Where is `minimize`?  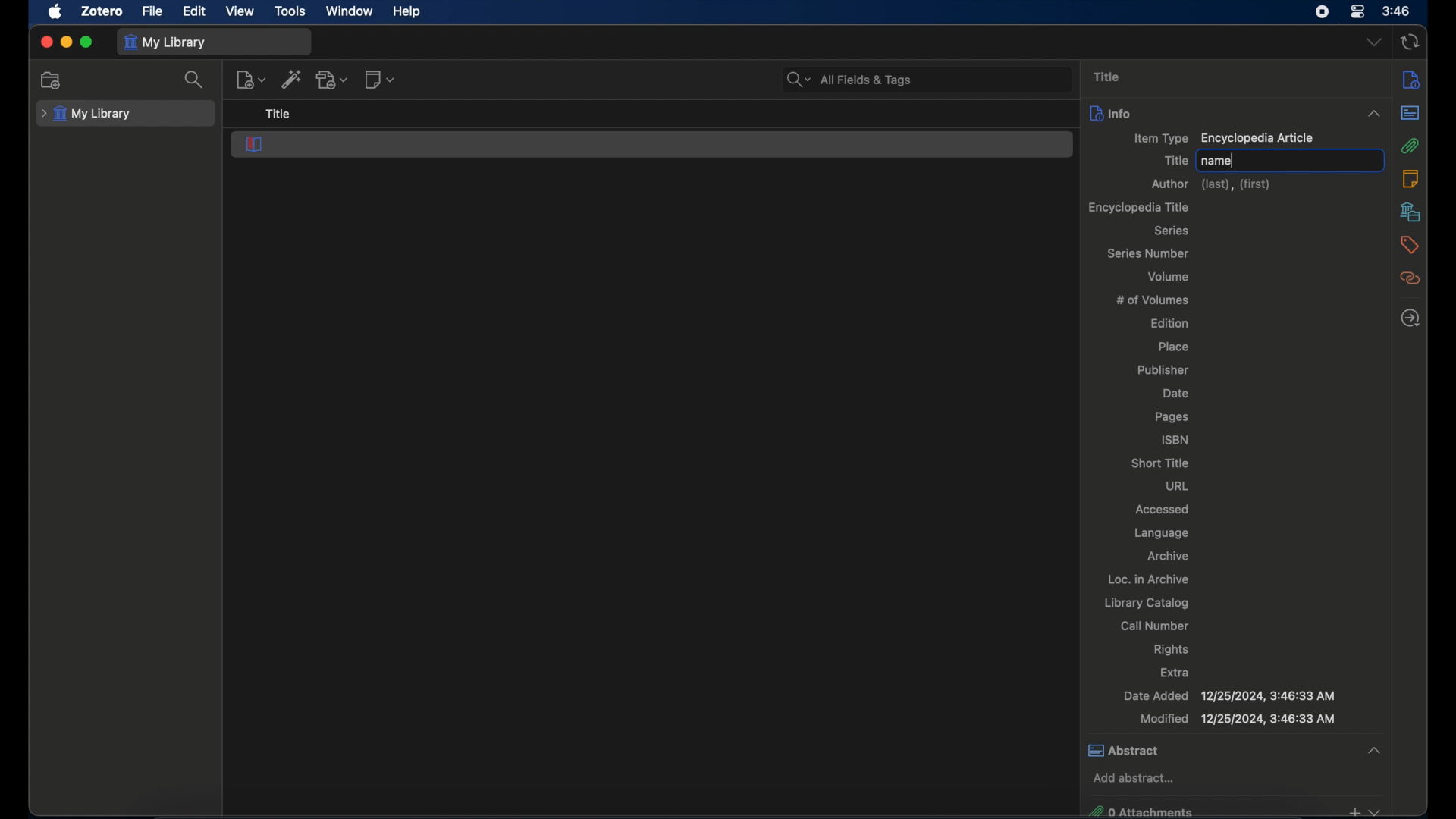 minimize is located at coordinates (65, 42).